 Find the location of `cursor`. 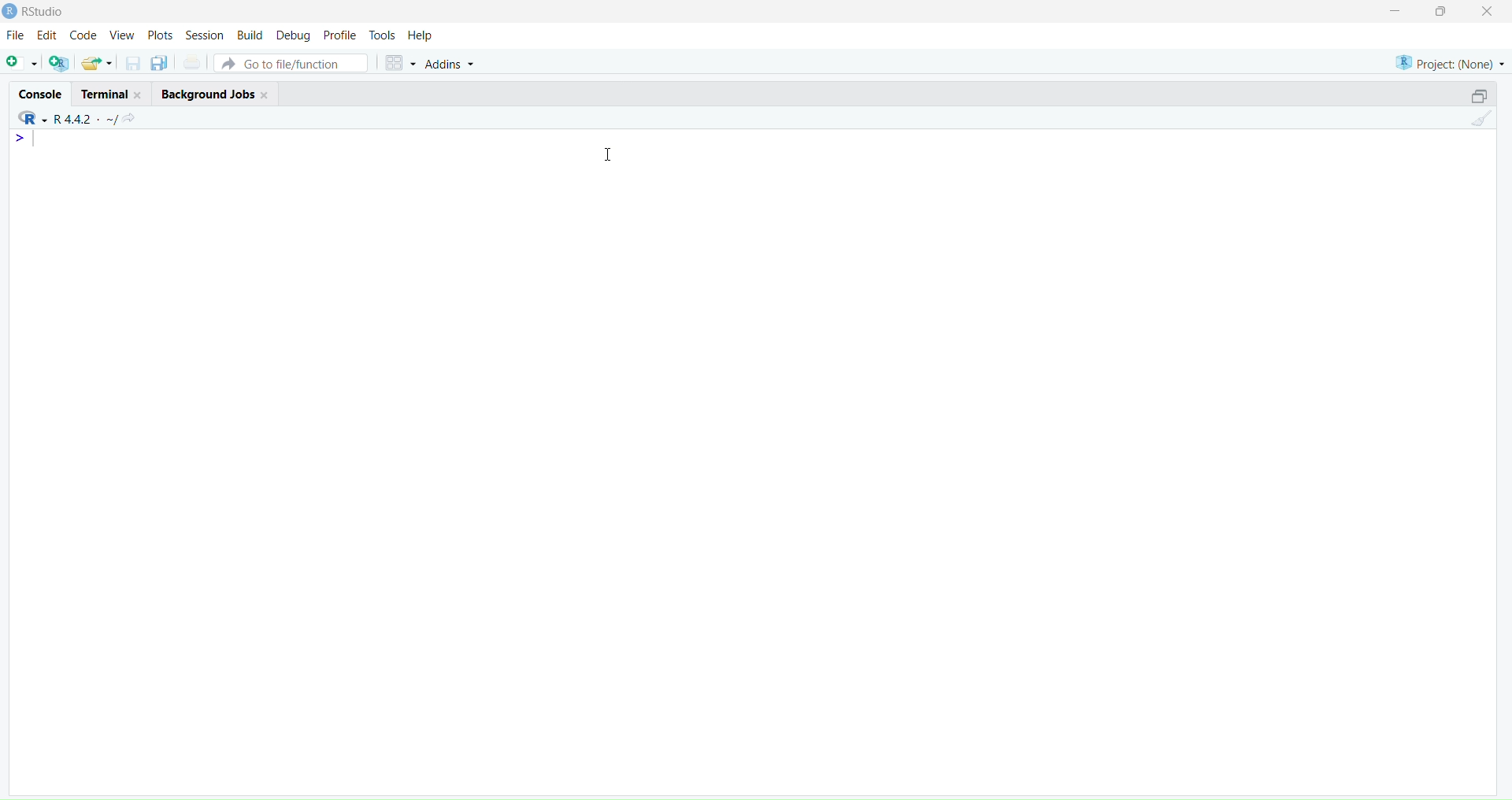

cursor is located at coordinates (612, 154).